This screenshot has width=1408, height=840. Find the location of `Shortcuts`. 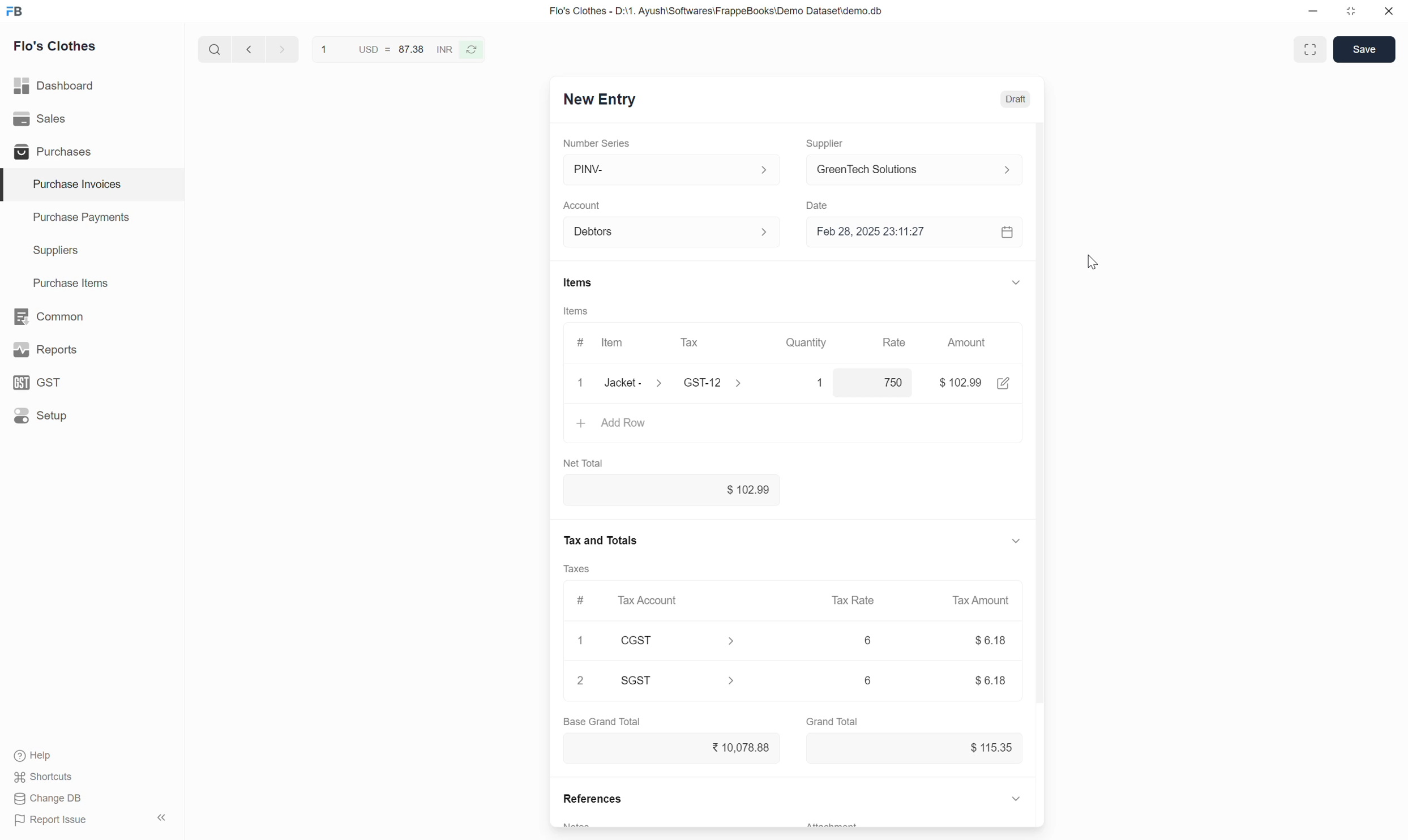

Shortcuts is located at coordinates (45, 777).